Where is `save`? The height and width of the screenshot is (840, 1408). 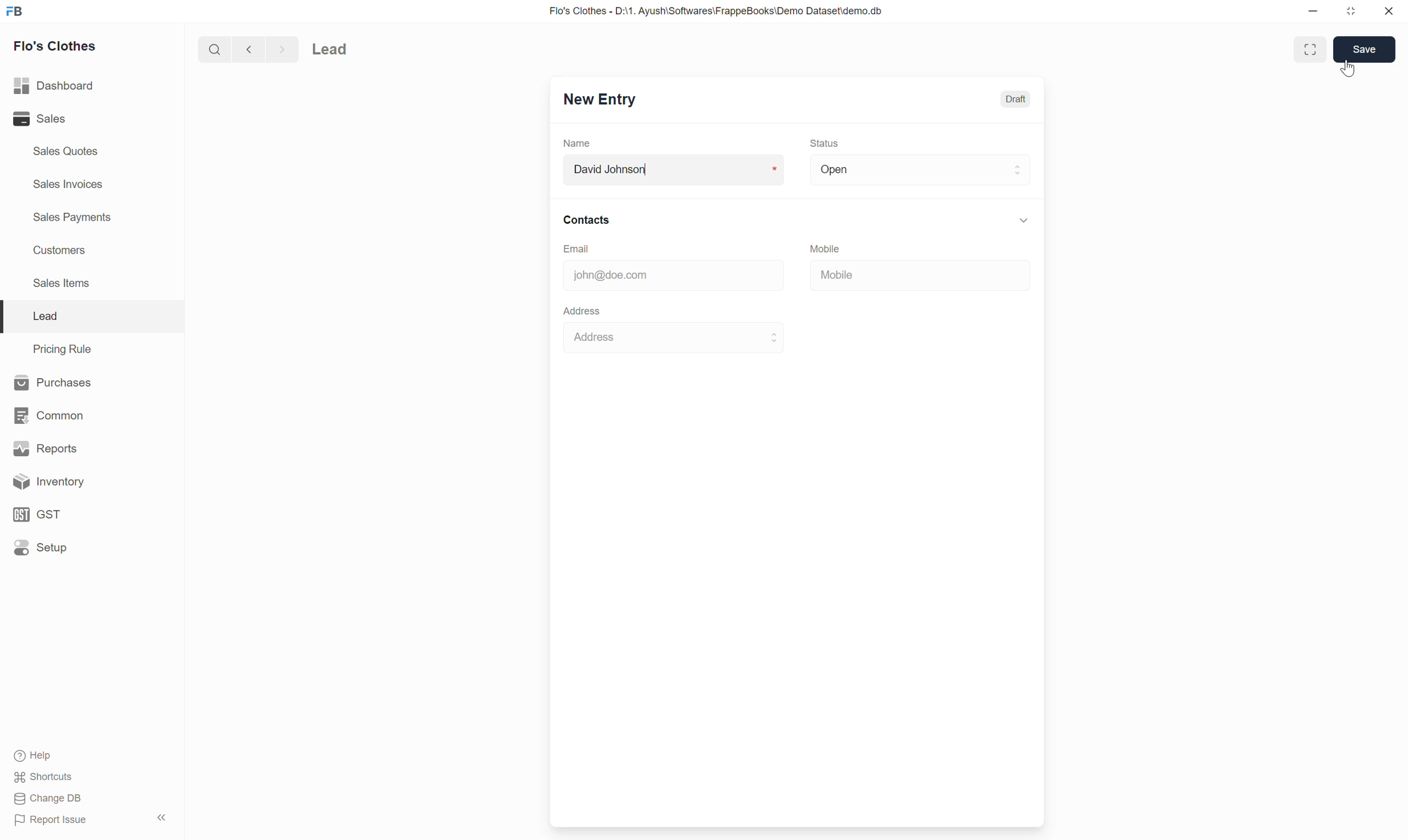
save is located at coordinates (1366, 49).